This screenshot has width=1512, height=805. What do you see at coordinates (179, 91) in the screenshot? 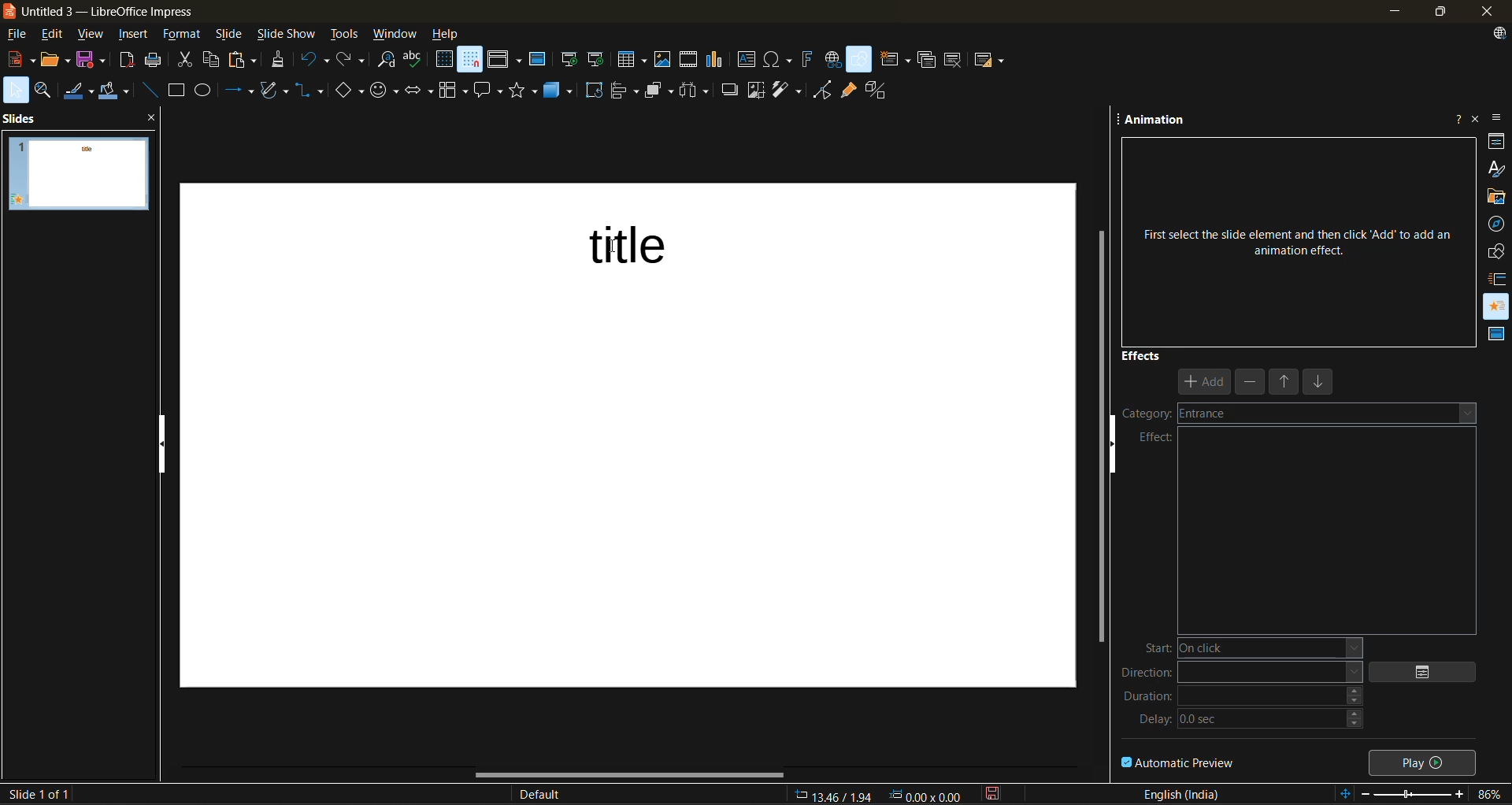
I see `rectangle` at bounding box center [179, 91].